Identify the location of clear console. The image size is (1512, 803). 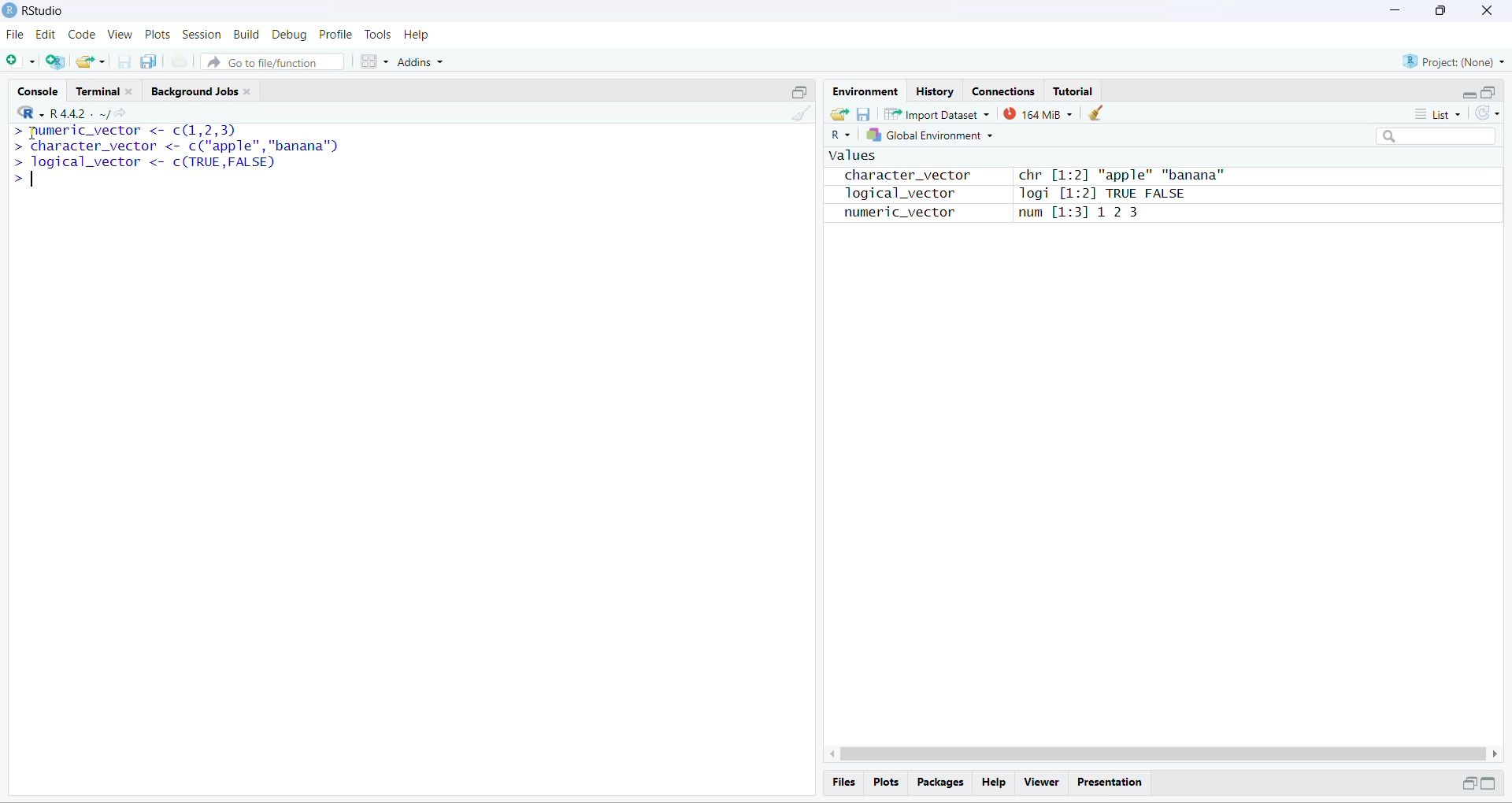
(804, 114).